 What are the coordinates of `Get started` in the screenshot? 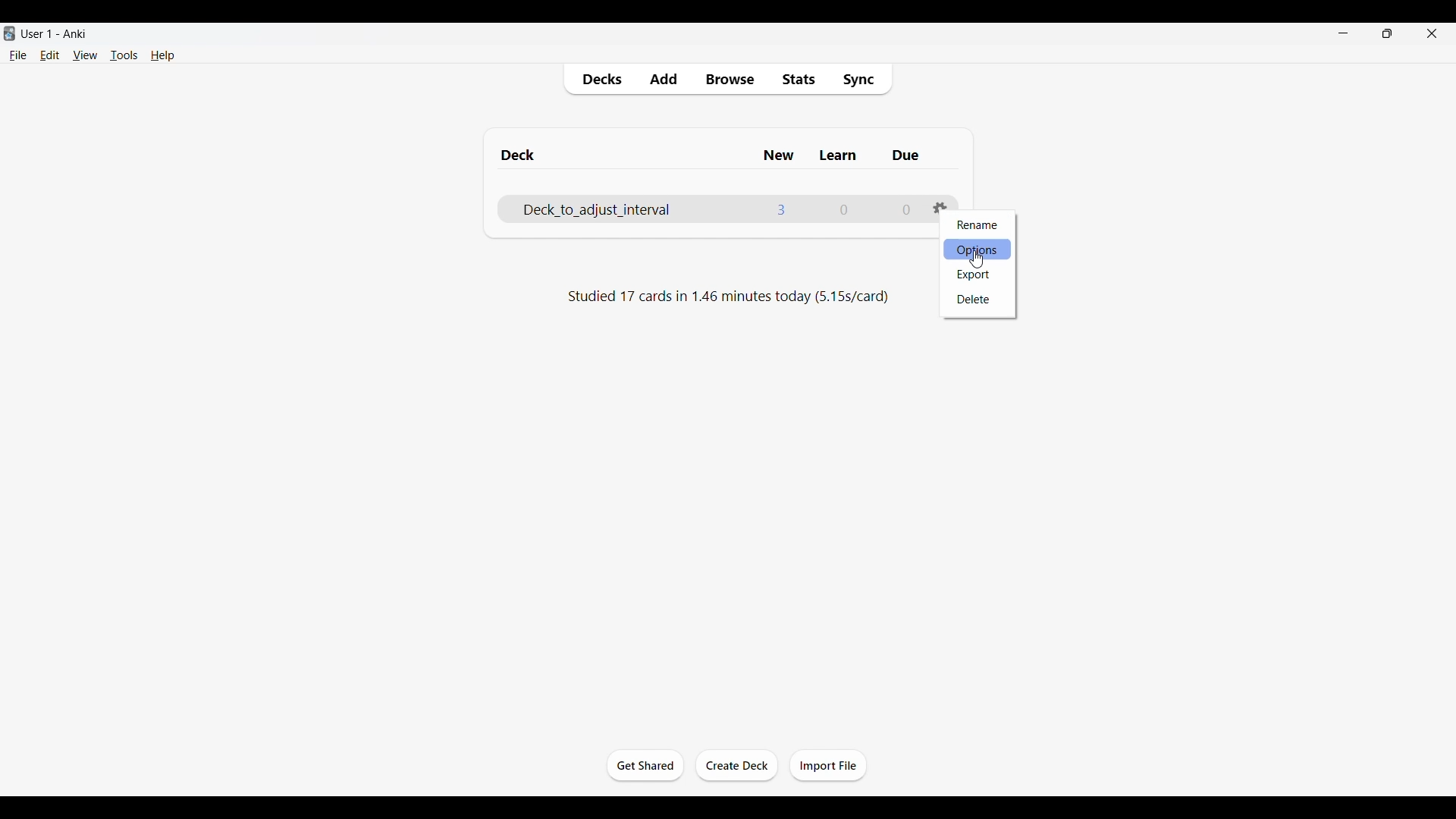 It's located at (645, 766).